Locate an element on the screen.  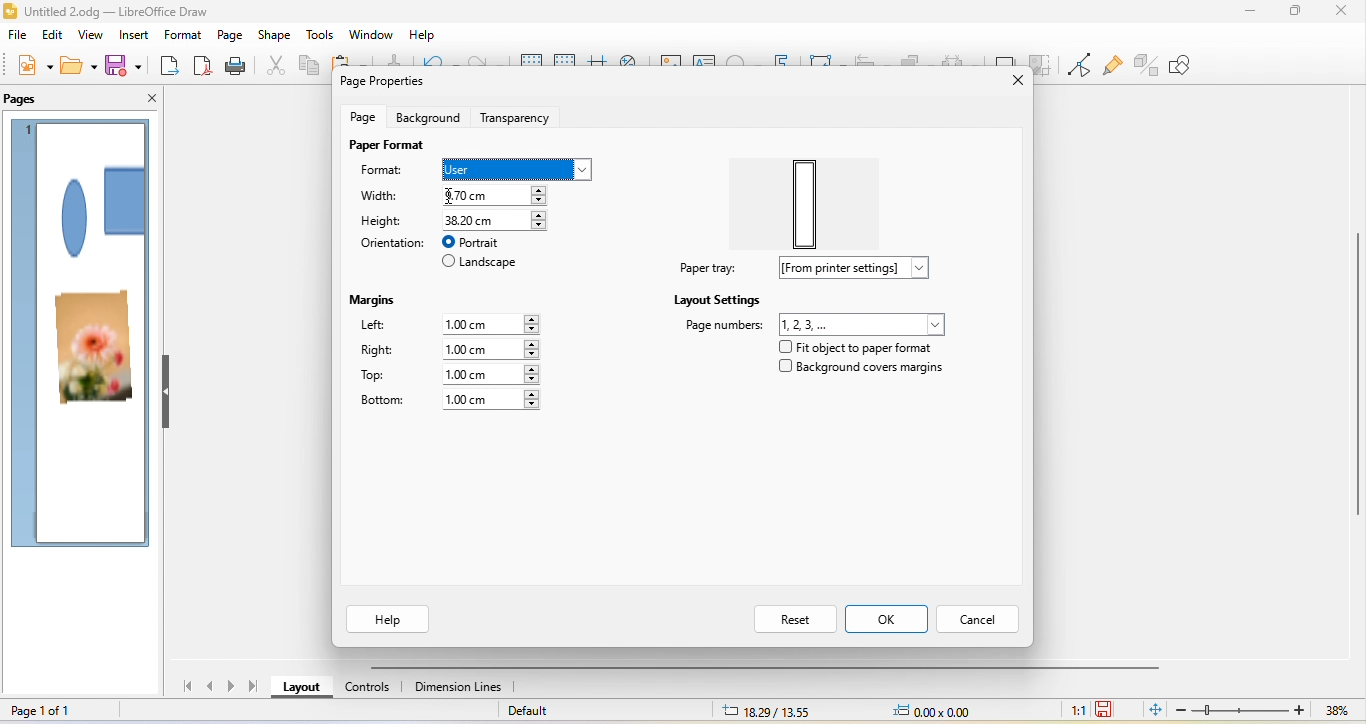
open is located at coordinates (79, 68).